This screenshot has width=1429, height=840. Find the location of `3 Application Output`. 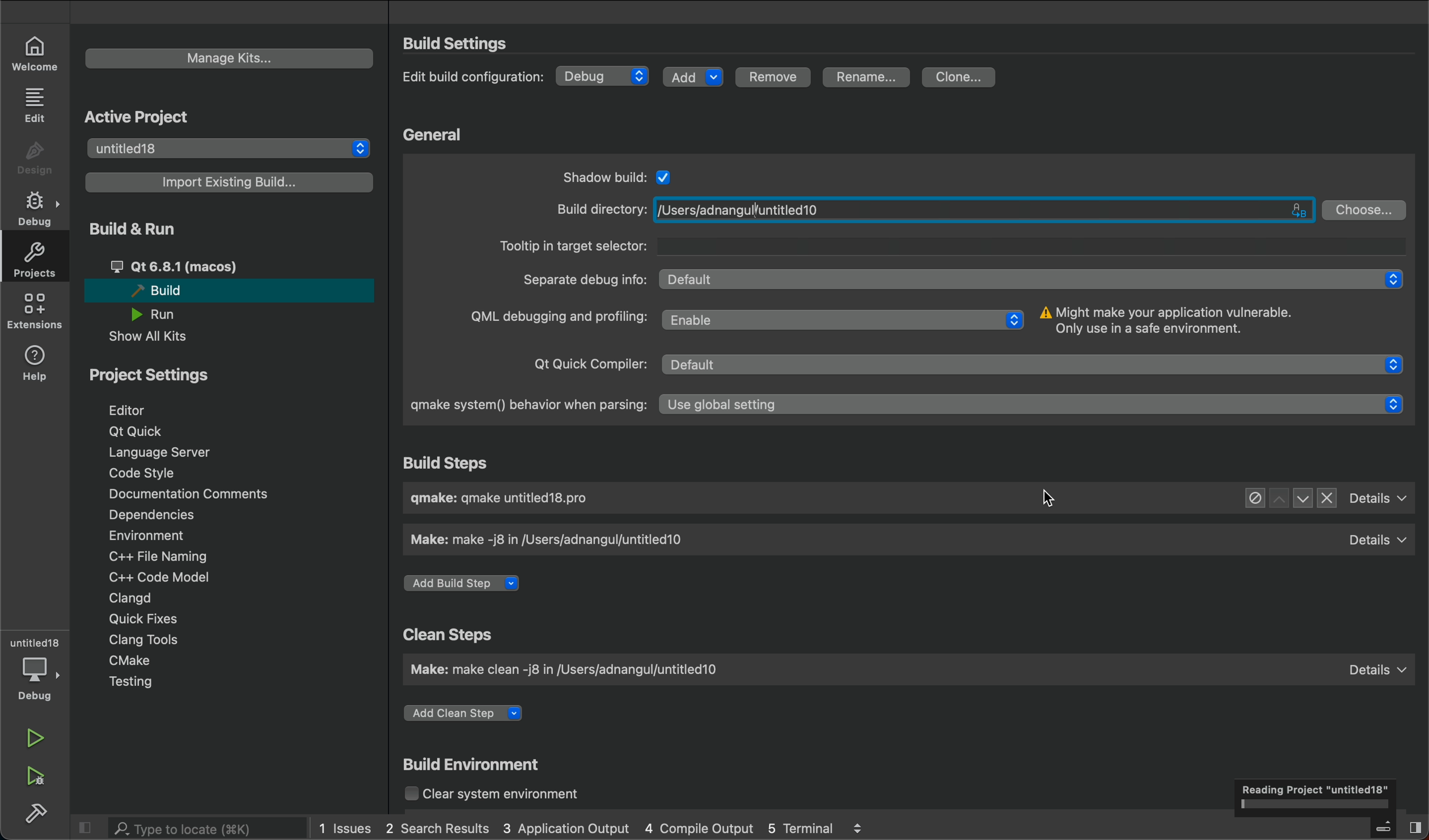

3 Application Output is located at coordinates (567, 828).